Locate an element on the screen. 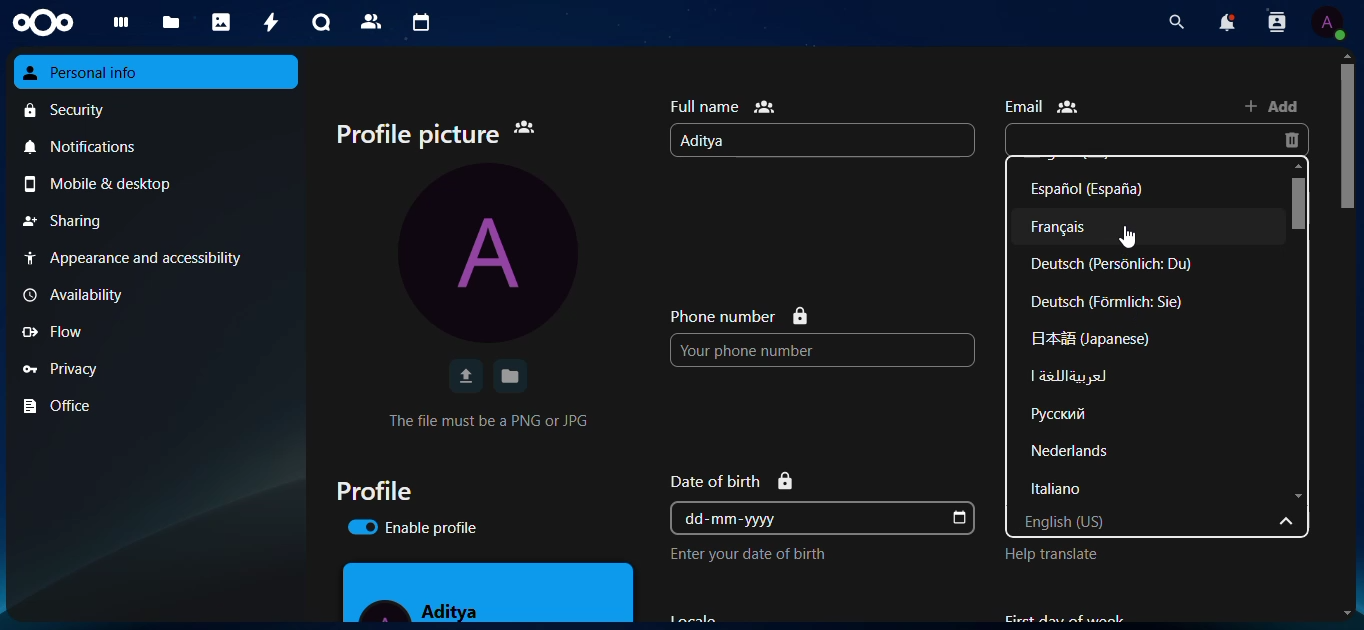  name is located at coordinates (716, 141).